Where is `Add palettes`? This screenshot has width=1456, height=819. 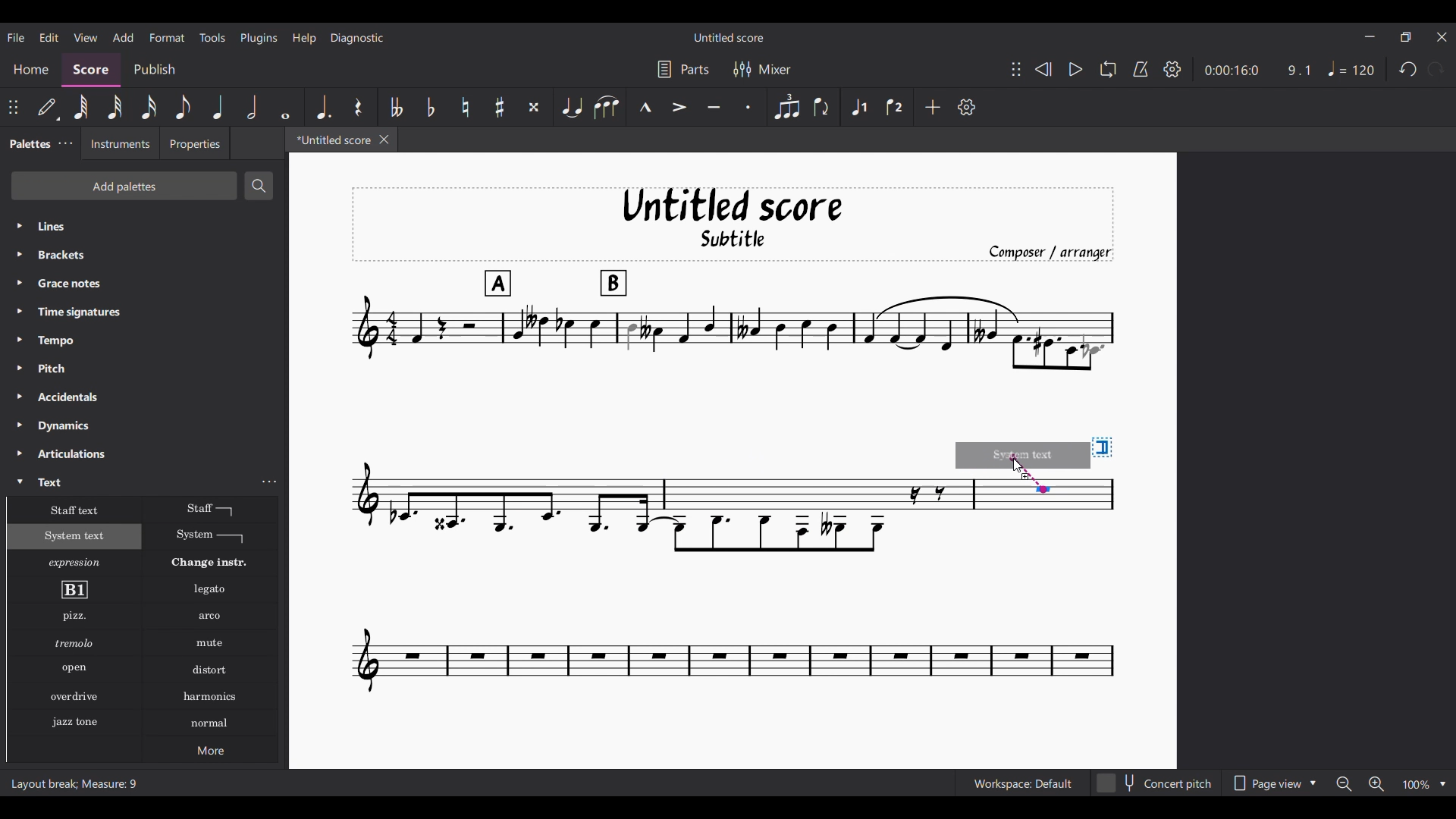 Add palettes is located at coordinates (124, 186).